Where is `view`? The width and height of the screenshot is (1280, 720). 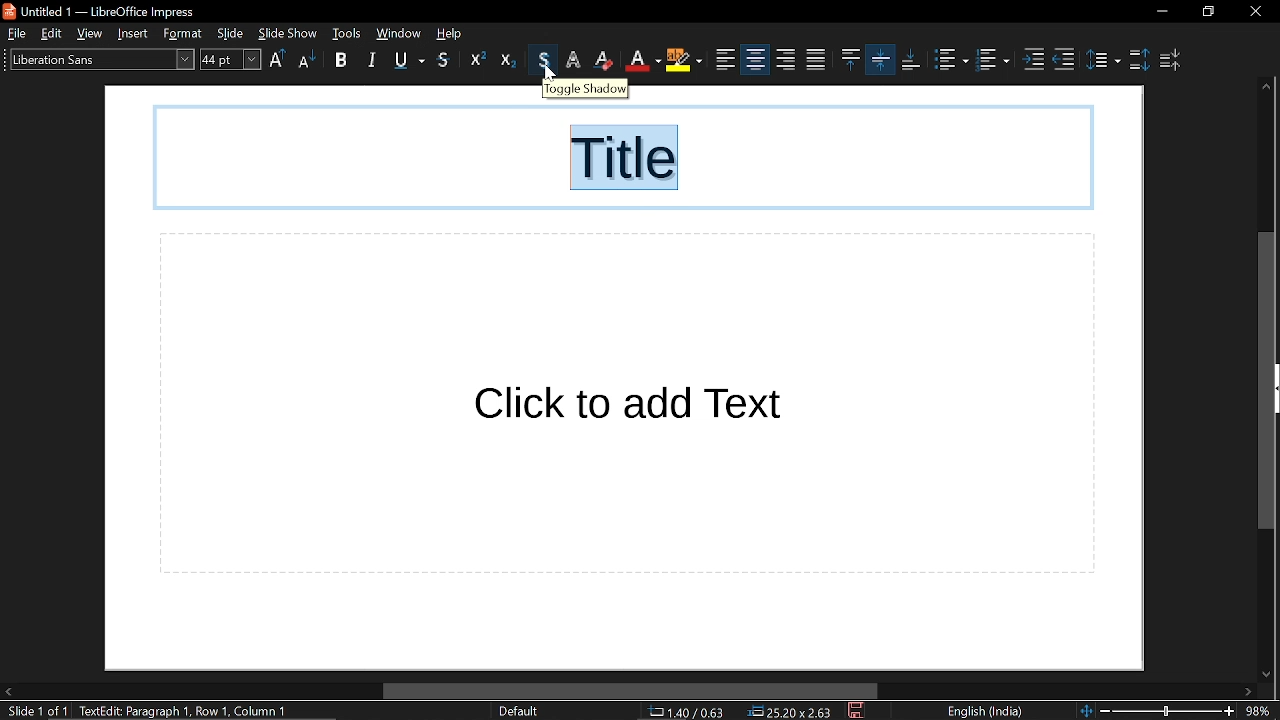 view is located at coordinates (94, 34).